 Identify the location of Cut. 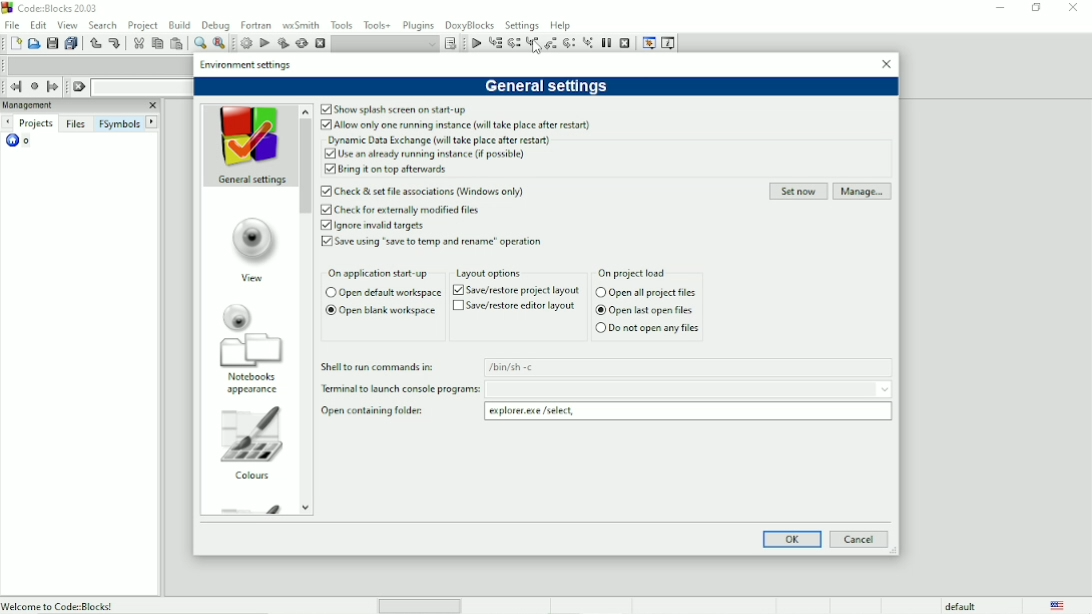
(137, 43).